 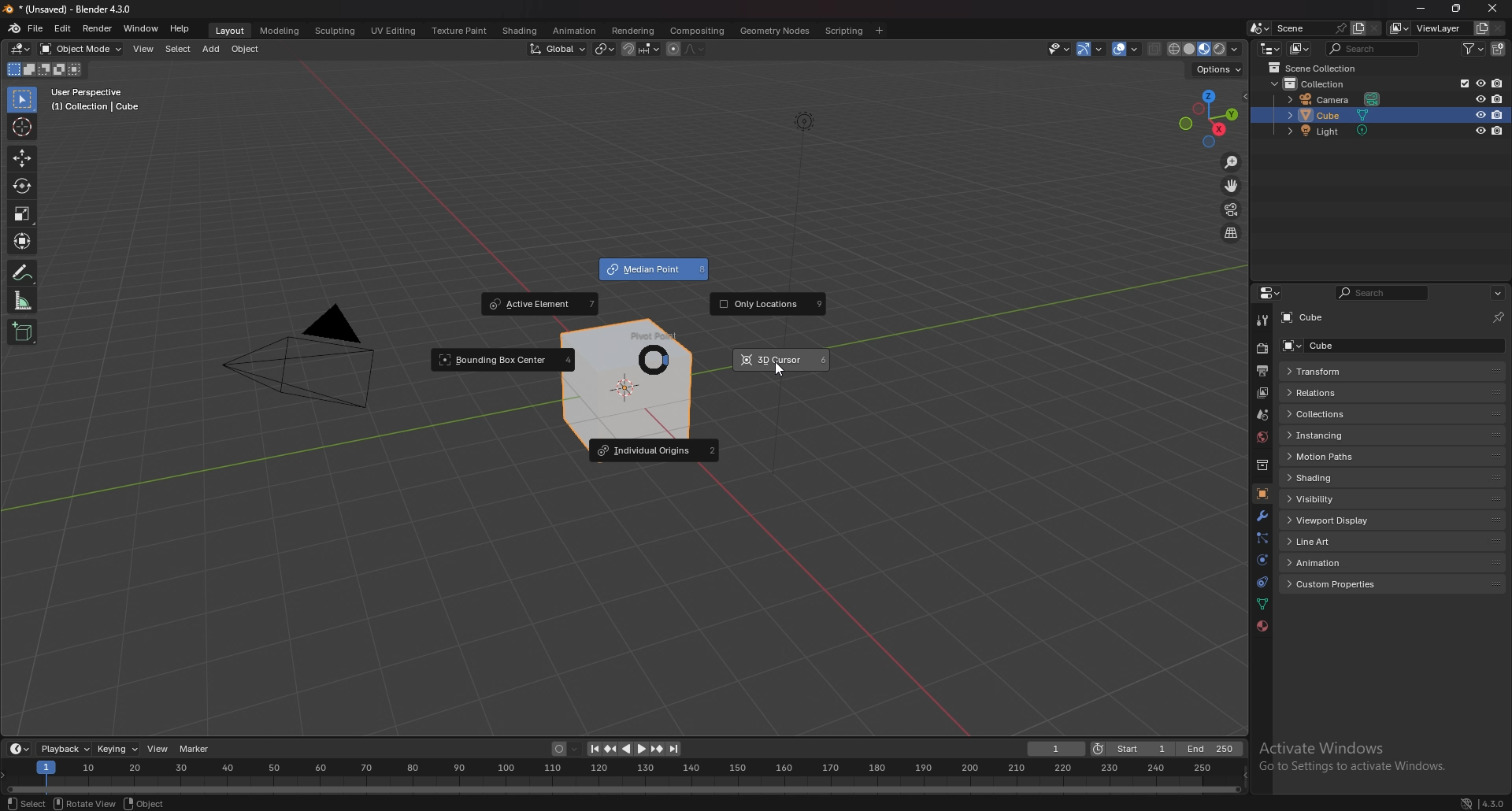 What do you see at coordinates (697, 31) in the screenshot?
I see `compisiting` at bounding box center [697, 31].